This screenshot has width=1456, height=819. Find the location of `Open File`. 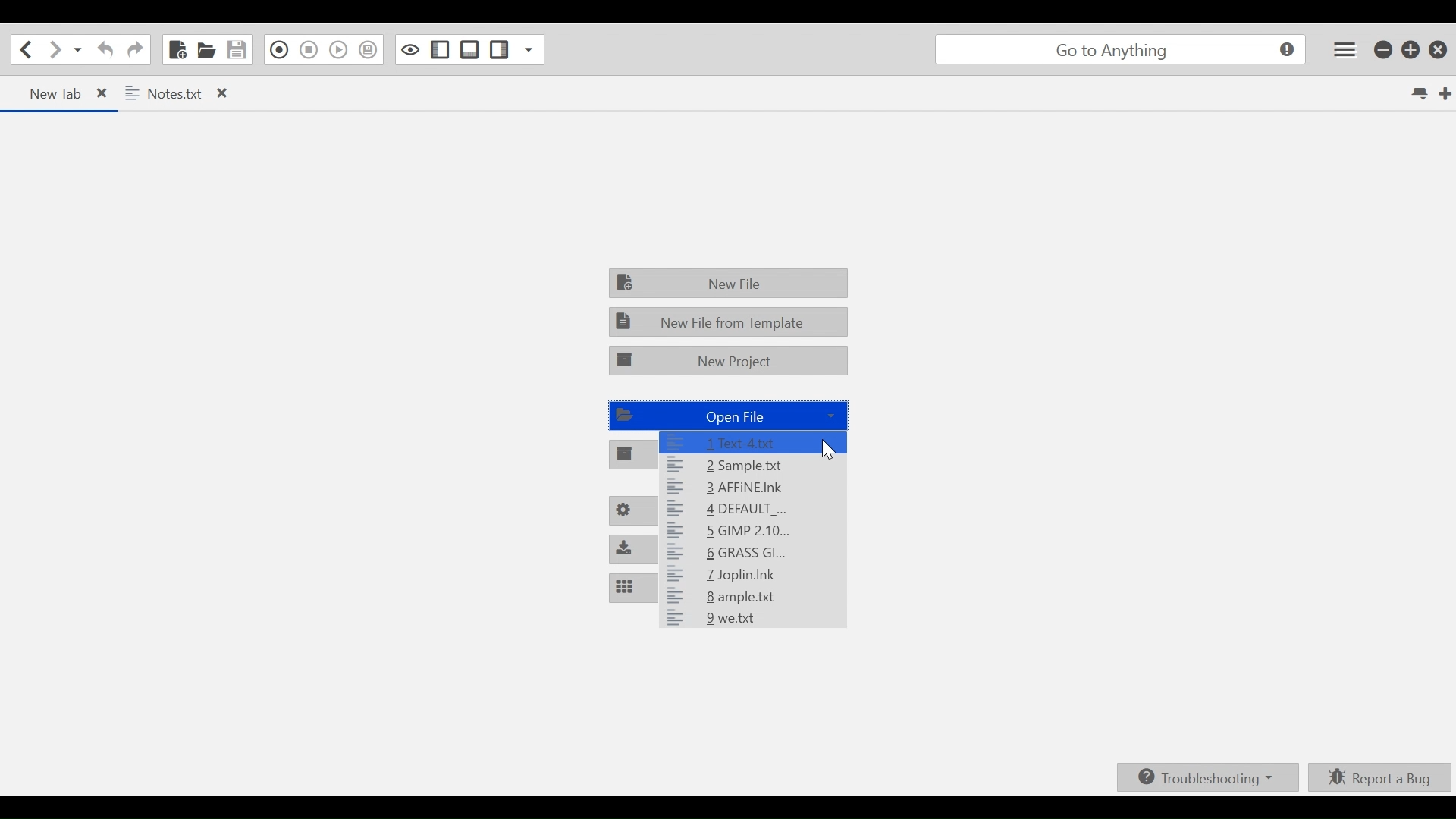

Open File is located at coordinates (727, 414).